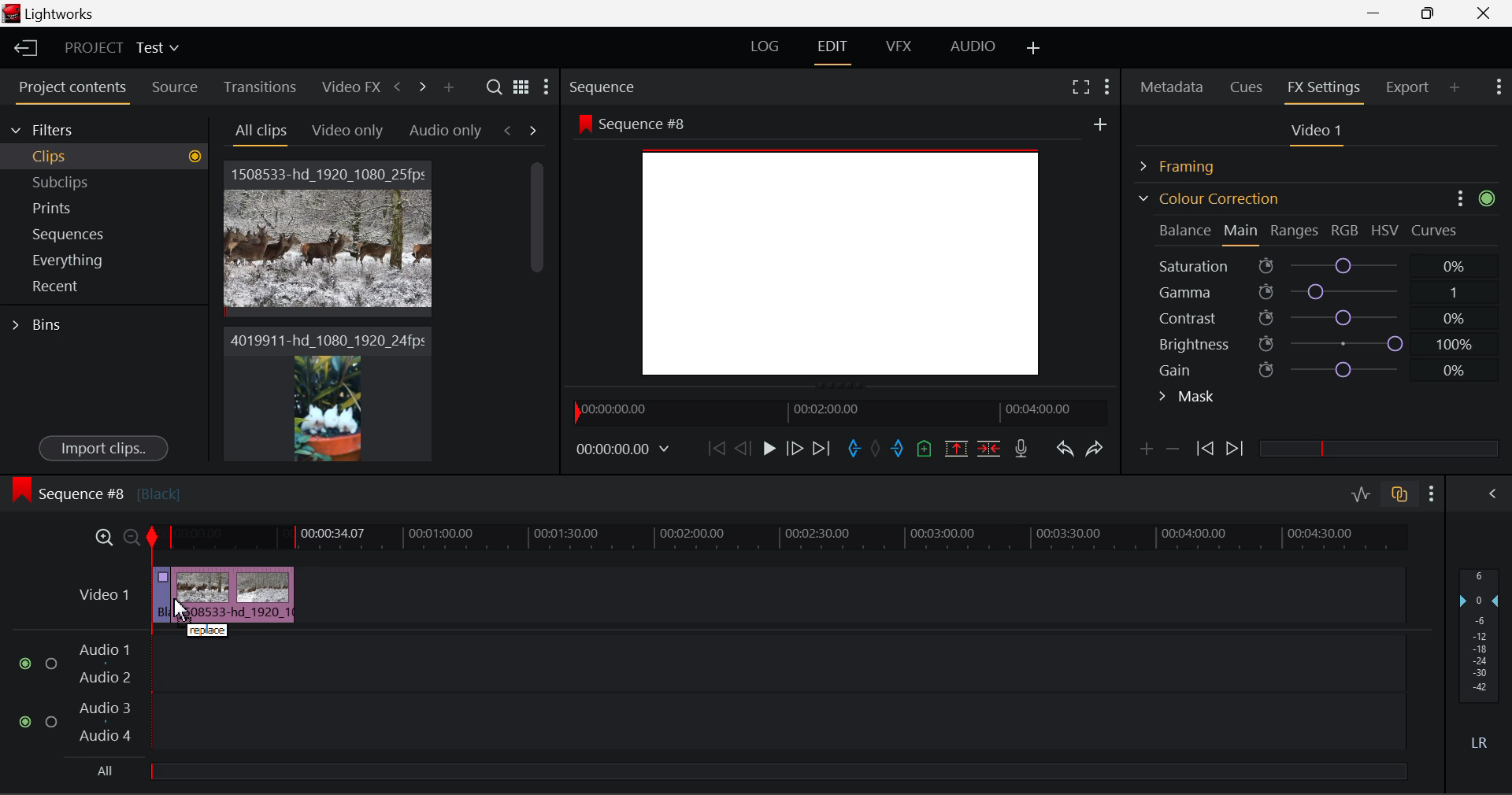 This screenshot has width=1512, height=795. What do you see at coordinates (340, 131) in the screenshot?
I see `Yesterday Tab` at bounding box center [340, 131].